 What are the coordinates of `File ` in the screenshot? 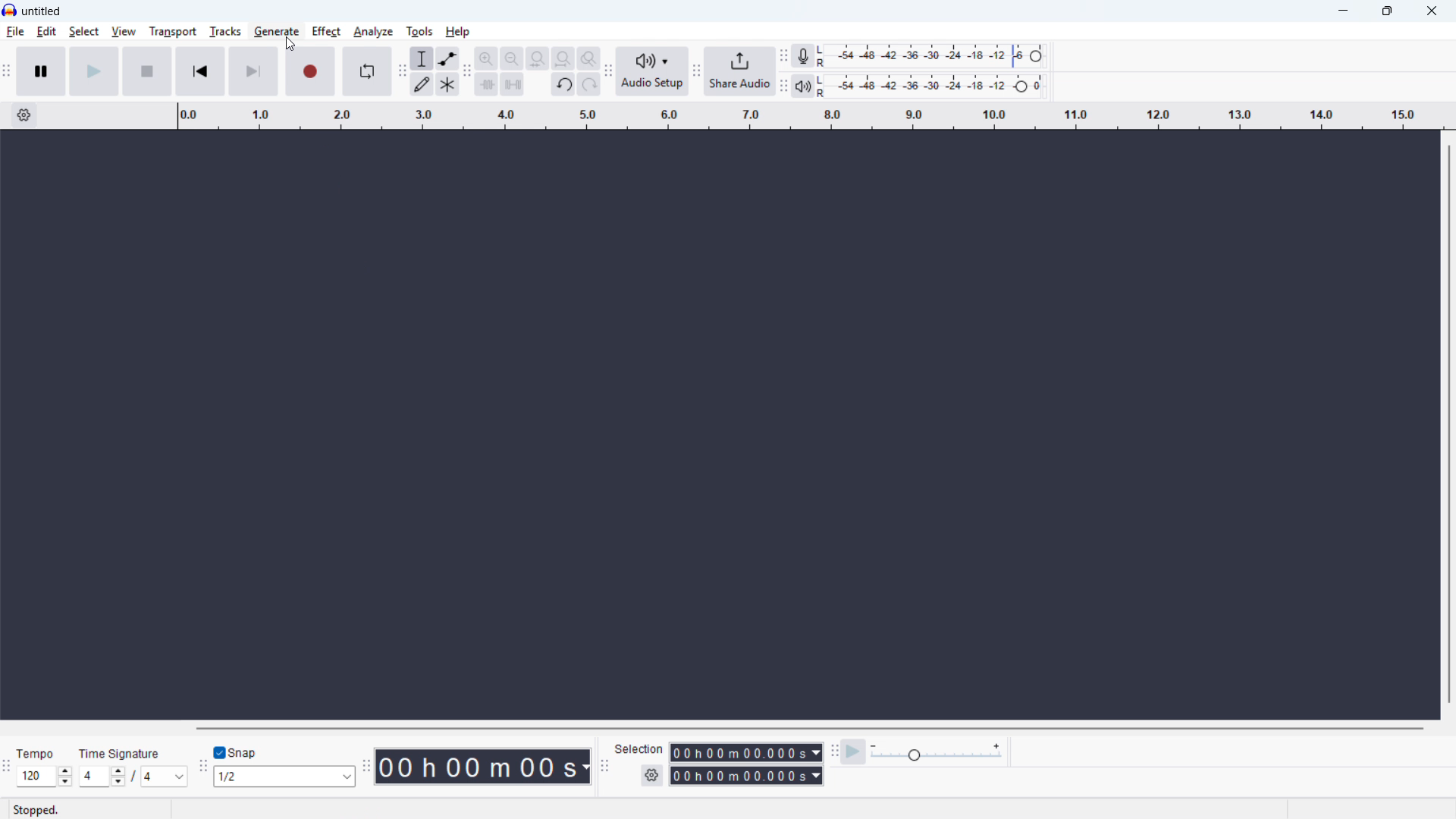 It's located at (15, 33).